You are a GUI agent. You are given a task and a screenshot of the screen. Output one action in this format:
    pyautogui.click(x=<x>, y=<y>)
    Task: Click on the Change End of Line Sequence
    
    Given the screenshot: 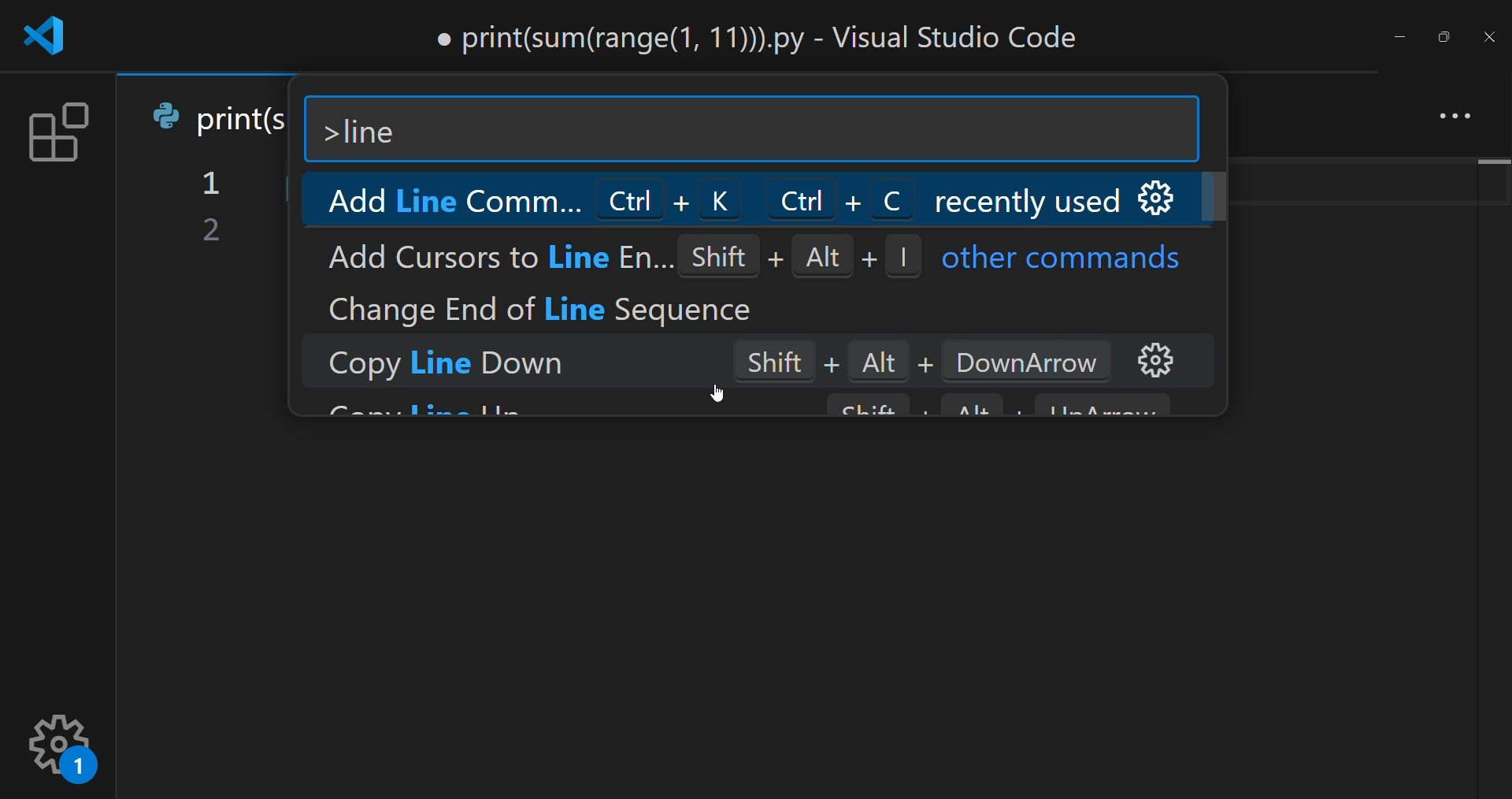 What is the action you would take?
    pyautogui.click(x=535, y=309)
    